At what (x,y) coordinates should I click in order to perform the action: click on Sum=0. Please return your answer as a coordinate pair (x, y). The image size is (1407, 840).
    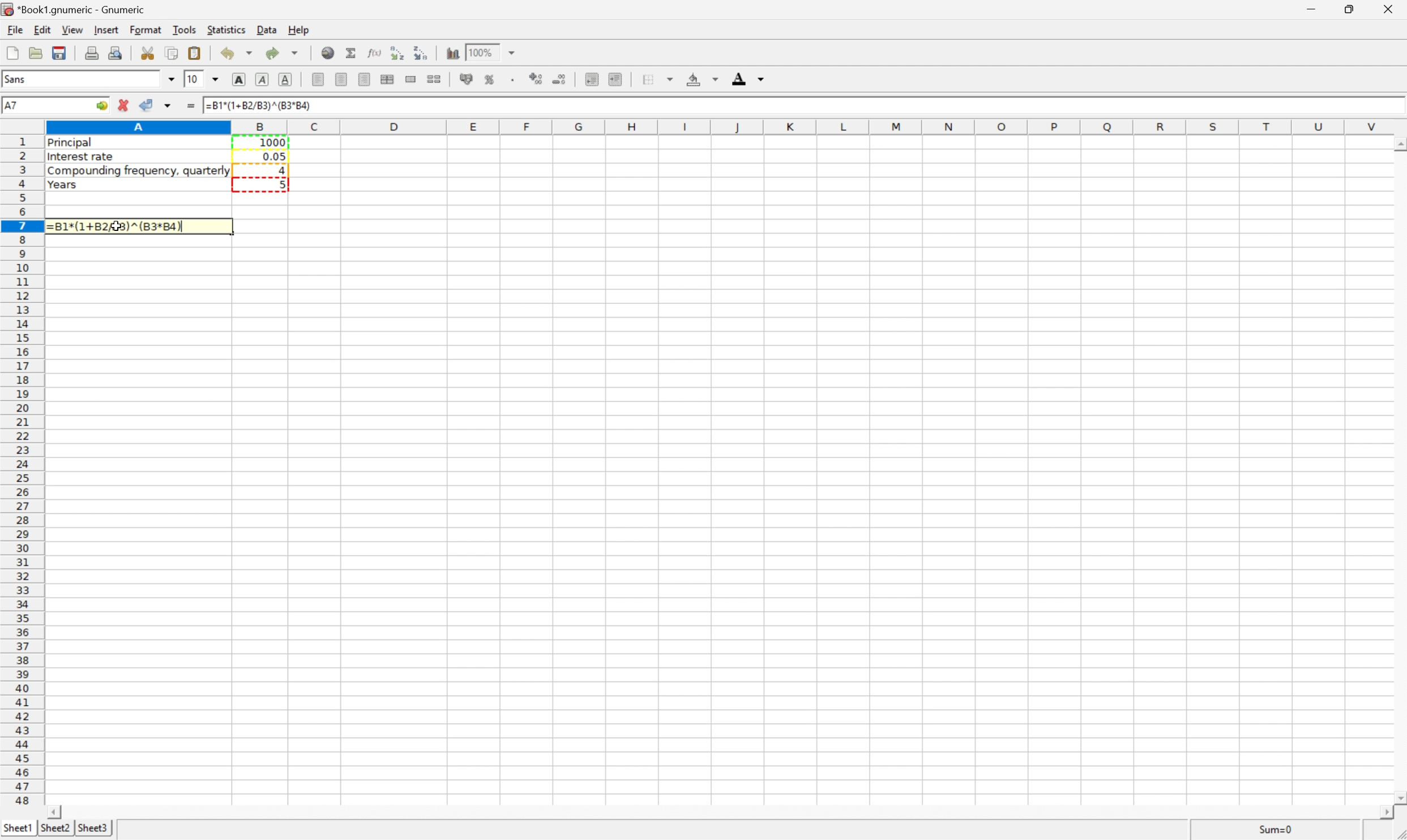
    Looking at the image, I should click on (1276, 829).